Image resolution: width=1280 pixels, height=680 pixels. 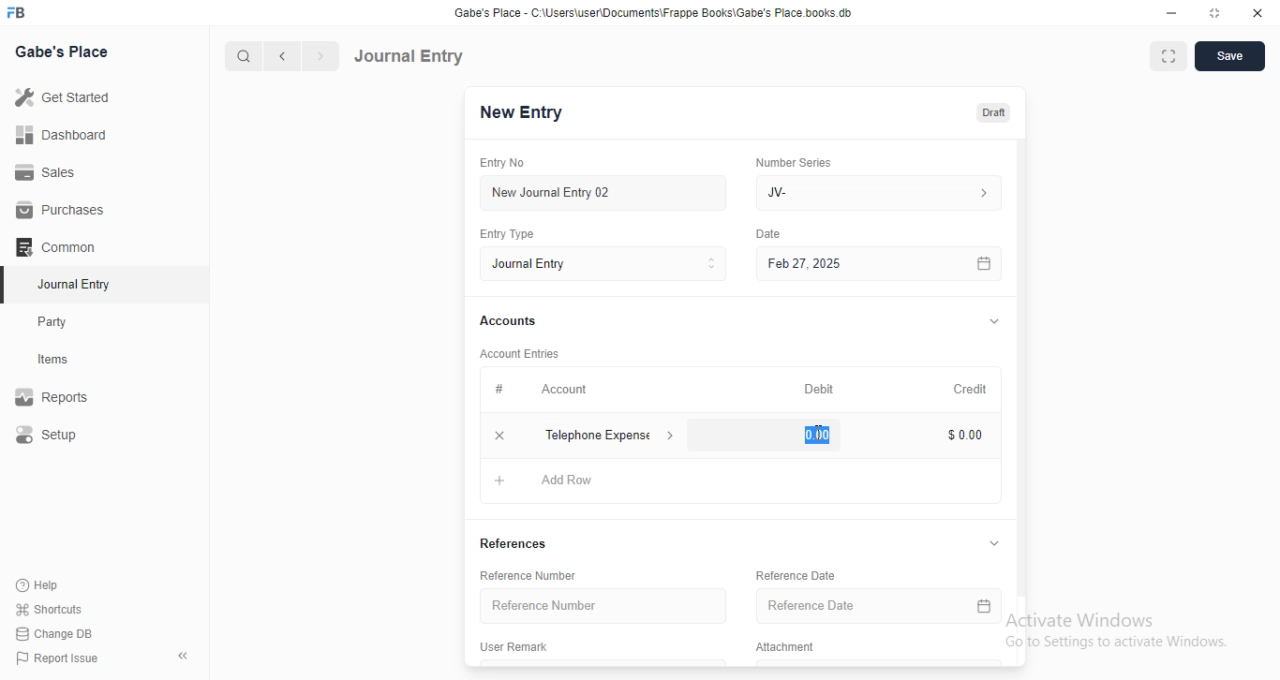 I want to click on Debit, so click(x=819, y=390).